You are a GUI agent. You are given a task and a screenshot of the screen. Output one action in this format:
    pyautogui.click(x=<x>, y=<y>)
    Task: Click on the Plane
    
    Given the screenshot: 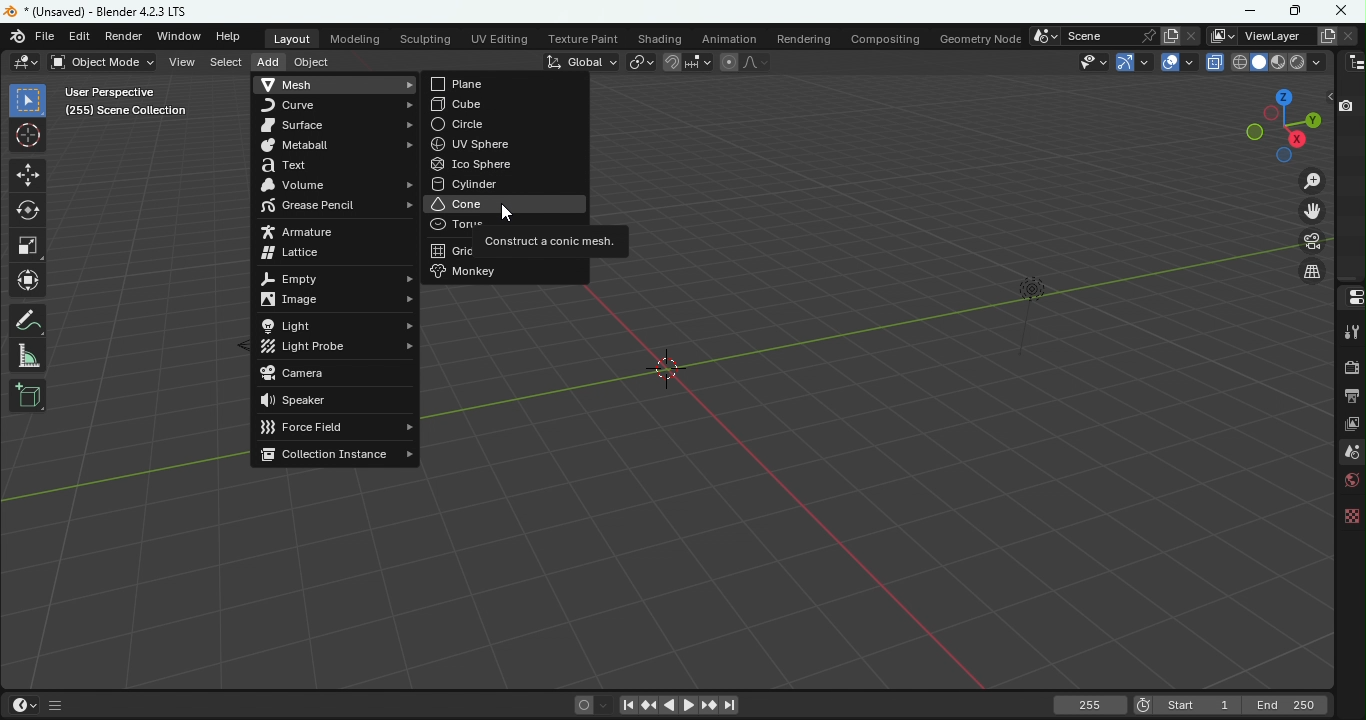 What is the action you would take?
    pyautogui.click(x=505, y=84)
    